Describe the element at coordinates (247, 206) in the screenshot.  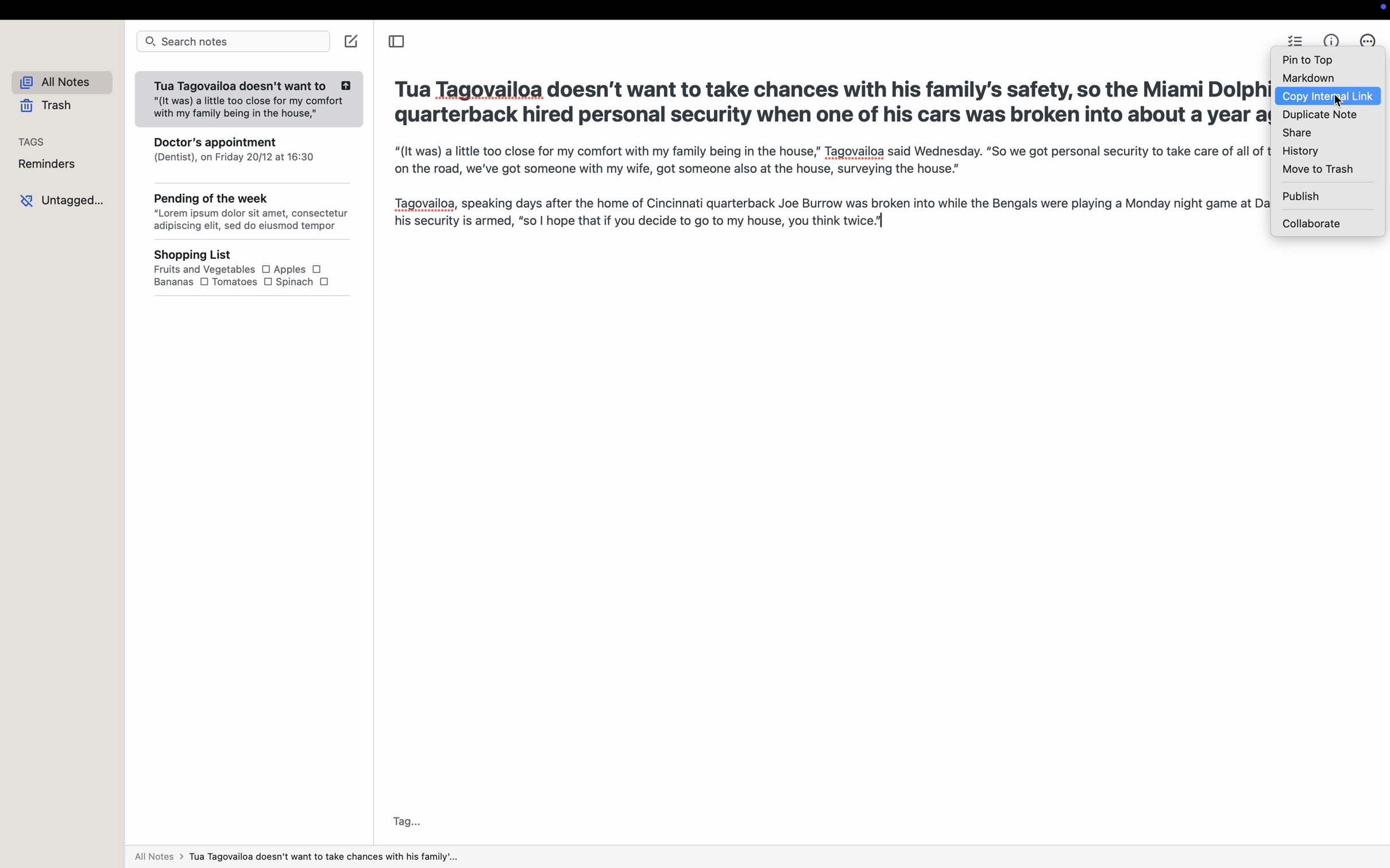
I see `Pending of the week
“Lorem ipsum dolor sit amet, consectetur
adipiscing elit, sed do eiusmod tempor` at that location.